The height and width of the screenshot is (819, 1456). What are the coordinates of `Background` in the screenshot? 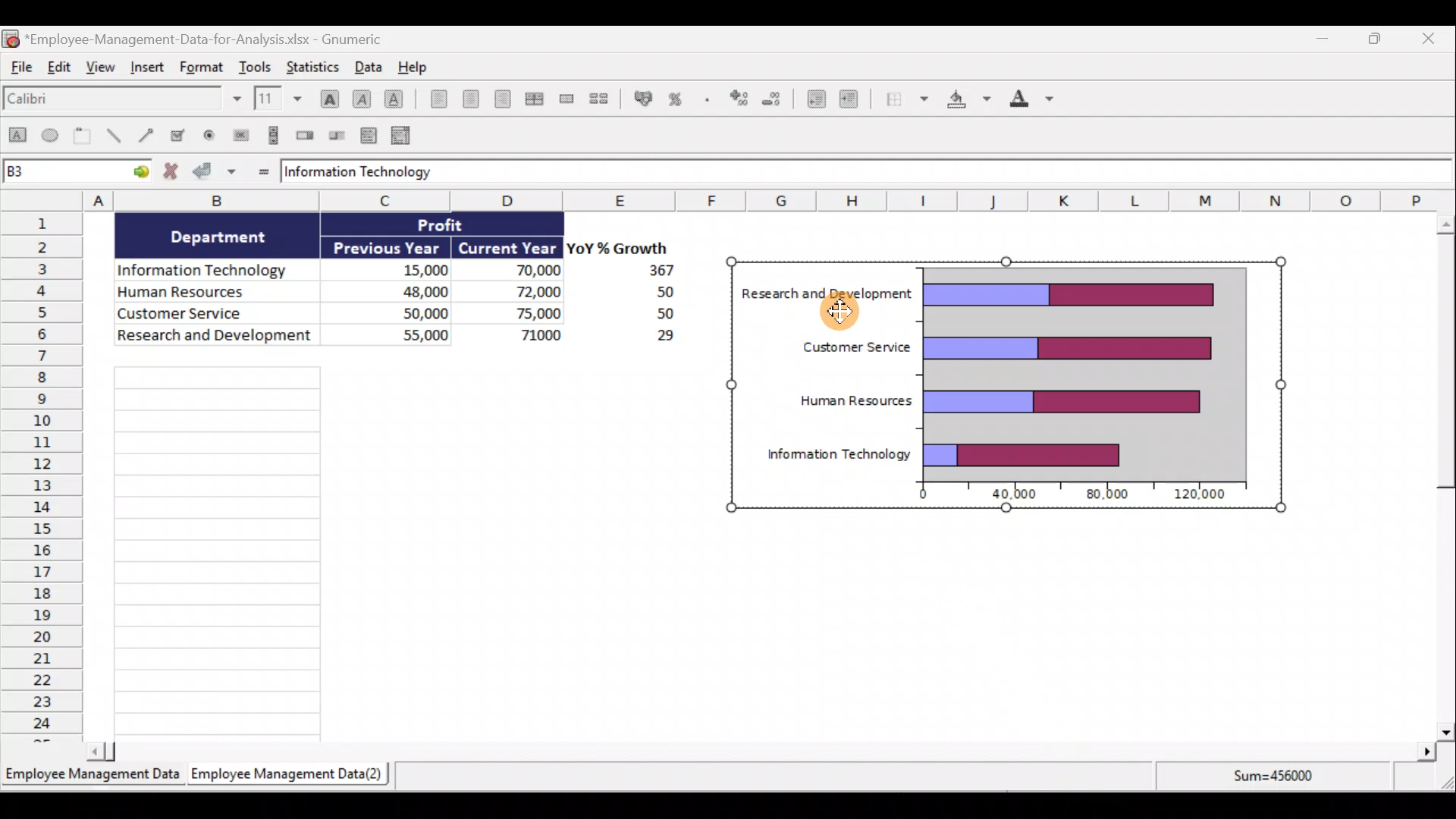 It's located at (968, 102).